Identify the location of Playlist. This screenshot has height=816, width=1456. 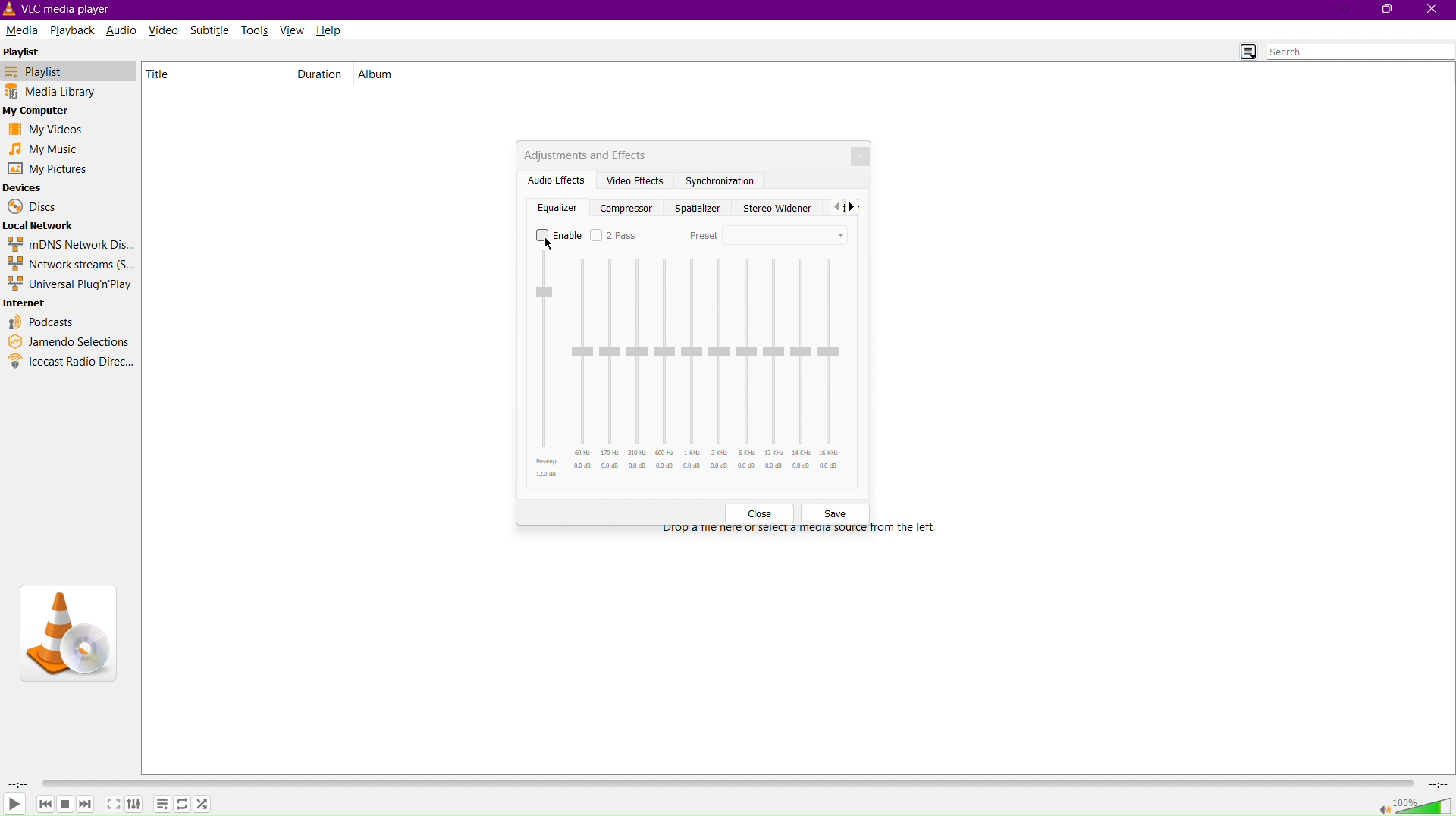
(69, 71).